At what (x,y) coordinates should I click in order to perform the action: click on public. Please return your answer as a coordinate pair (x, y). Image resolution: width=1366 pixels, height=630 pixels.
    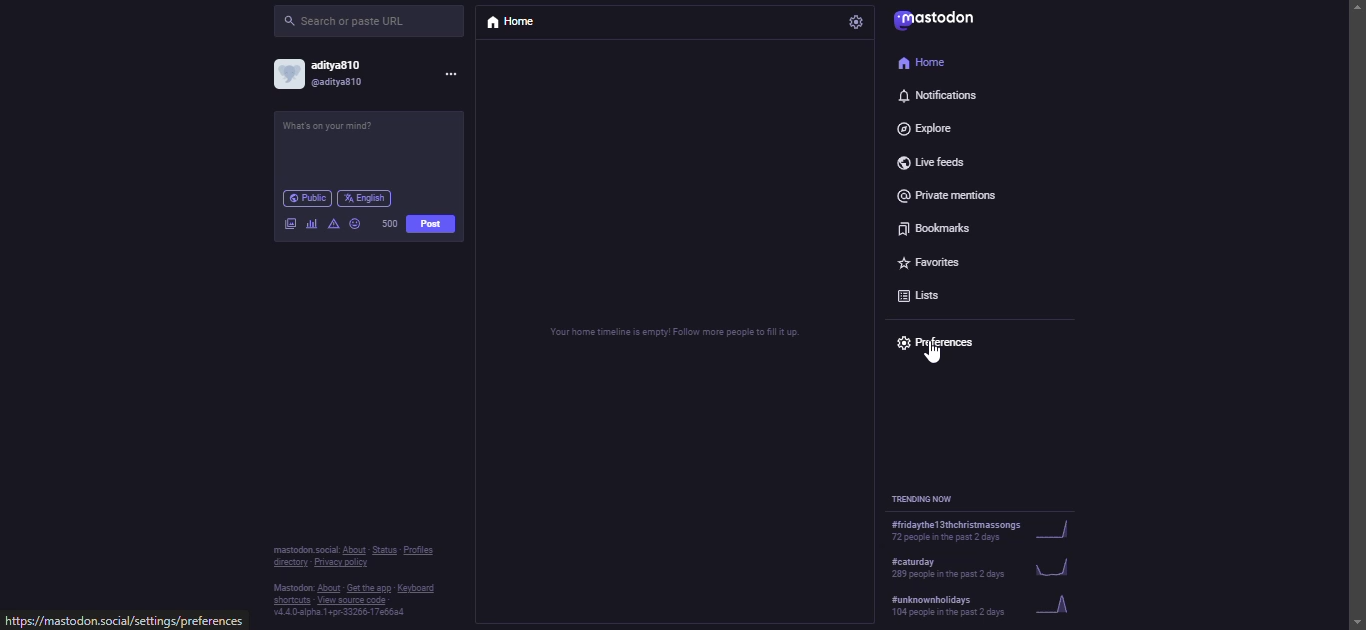
    Looking at the image, I should click on (306, 196).